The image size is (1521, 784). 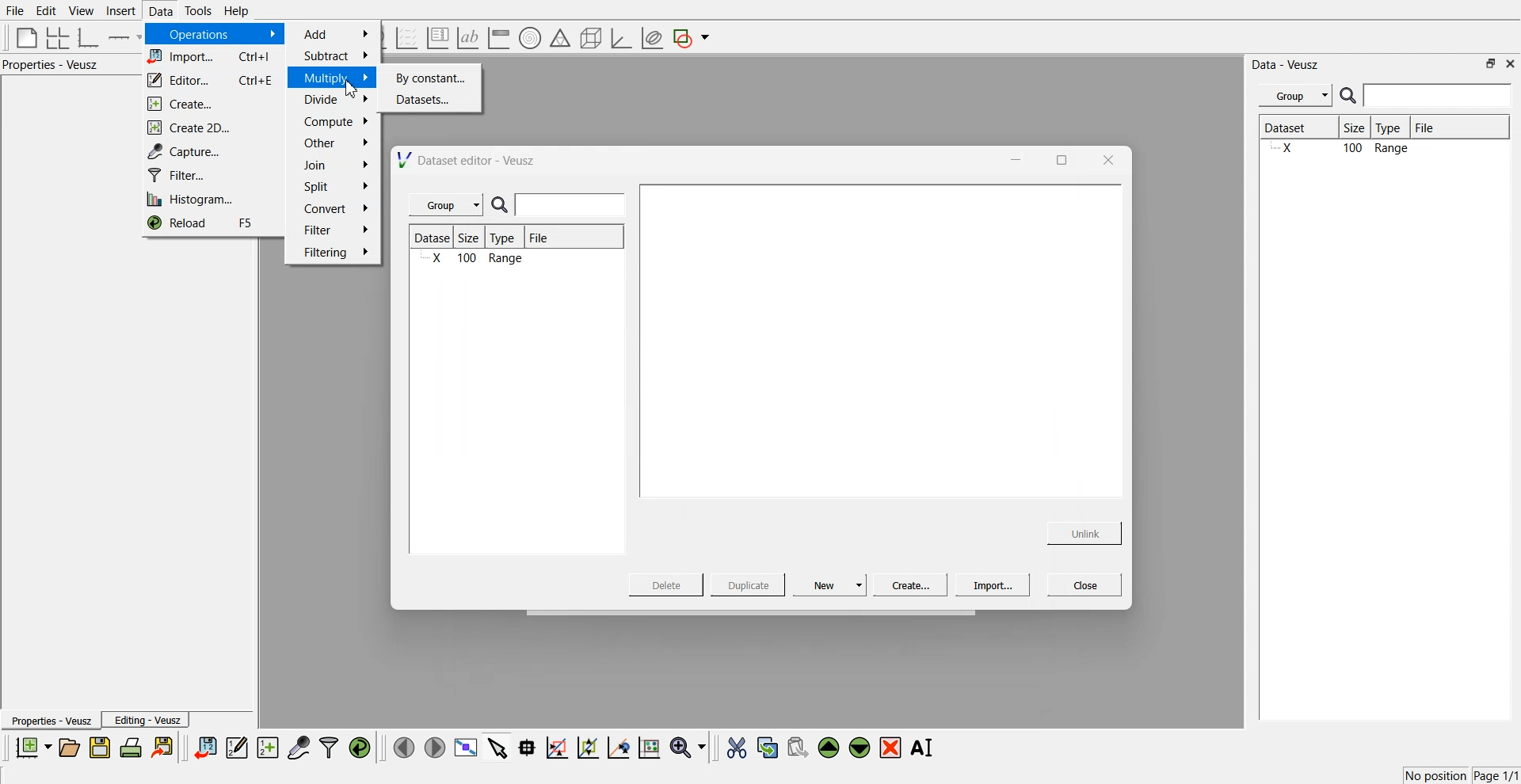 I want to click on enter search field, so click(x=1439, y=96).